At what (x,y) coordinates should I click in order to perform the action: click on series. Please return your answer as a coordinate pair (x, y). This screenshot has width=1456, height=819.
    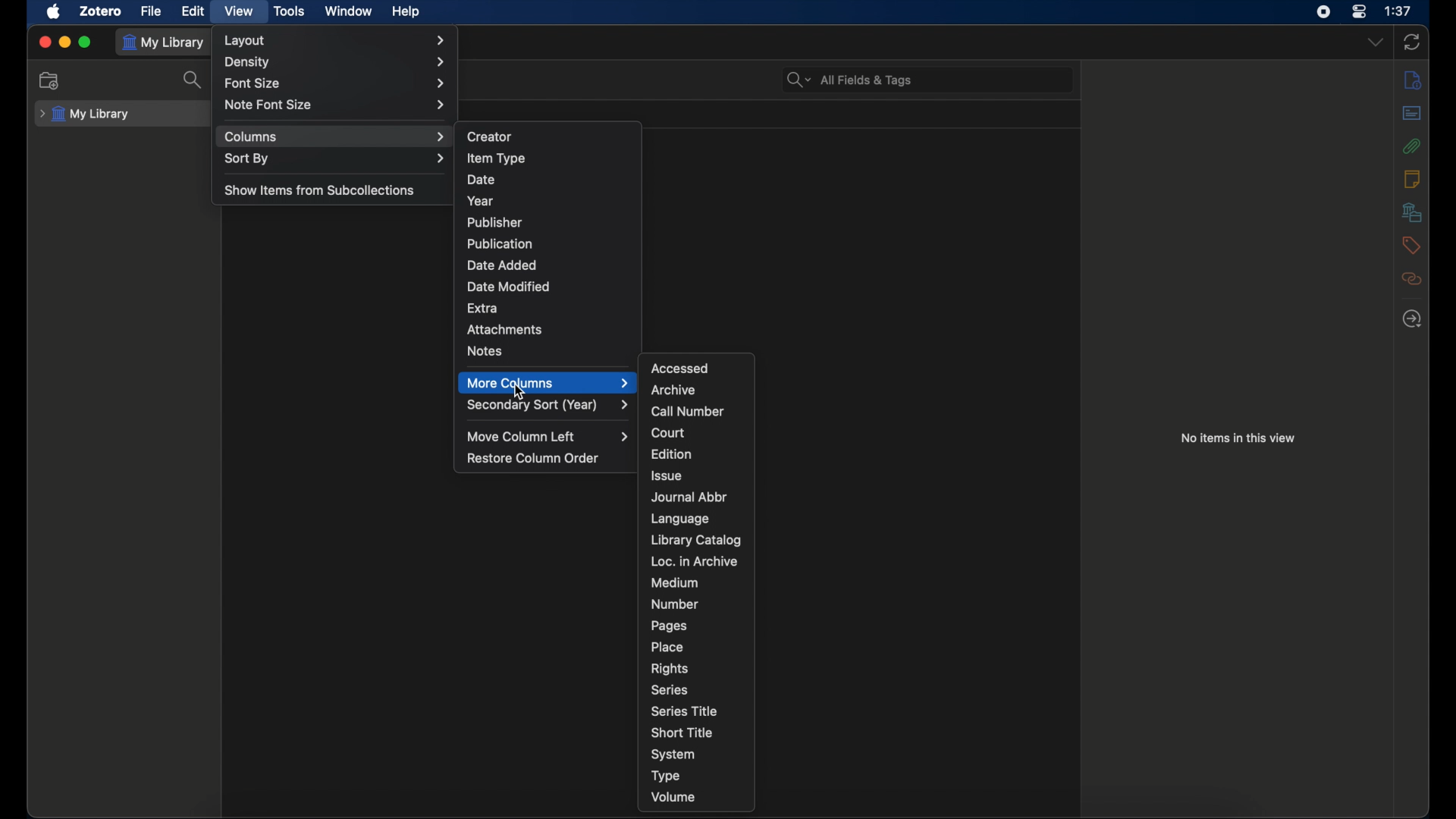
    Looking at the image, I should click on (670, 690).